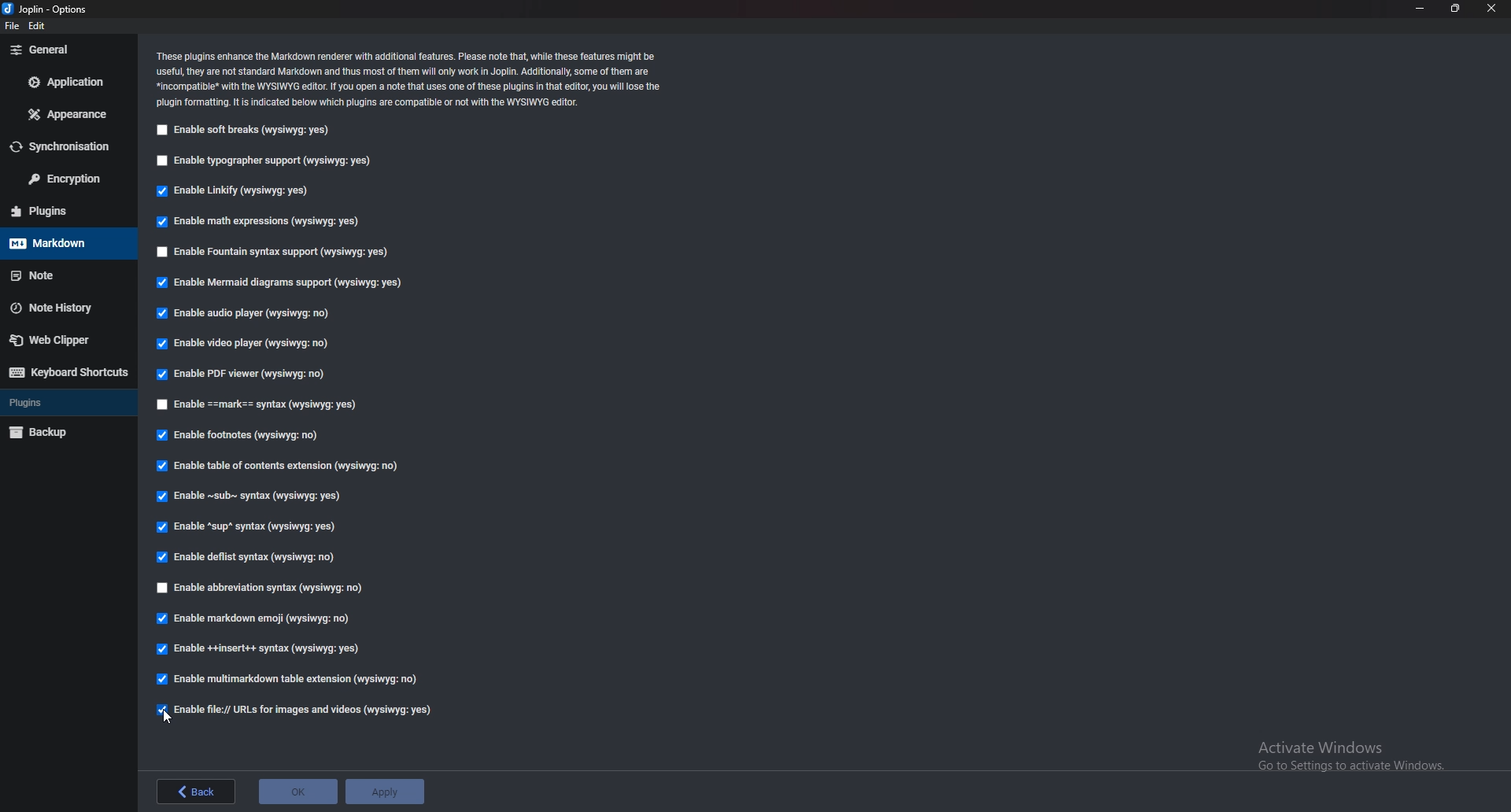 Image resolution: width=1511 pixels, height=812 pixels. Describe the element at coordinates (281, 283) in the screenshot. I see `Enable mermaid diagrams` at that location.